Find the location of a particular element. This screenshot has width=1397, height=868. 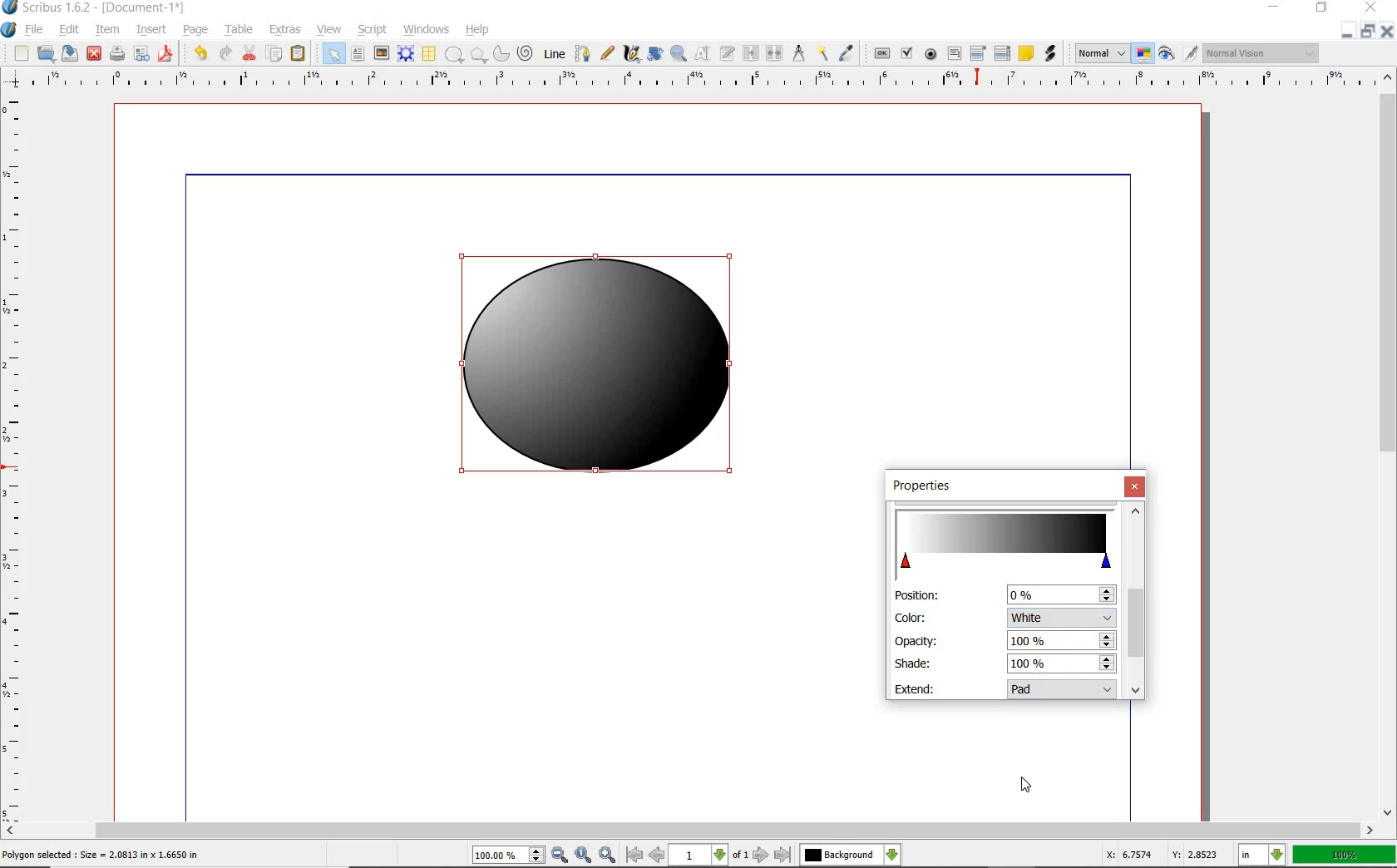

SYSTEM LOGO is located at coordinates (9, 30).